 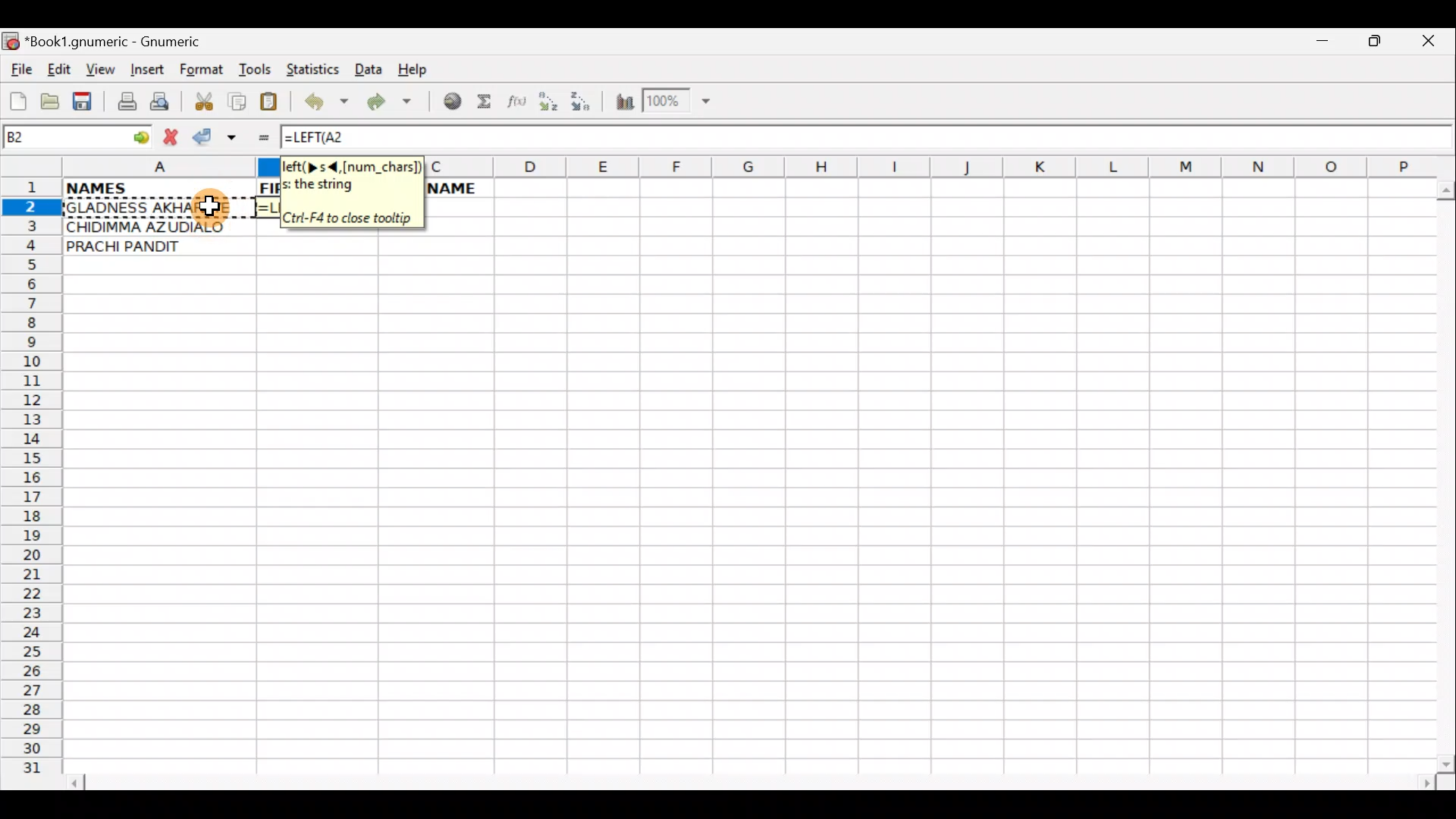 What do you see at coordinates (96, 71) in the screenshot?
I see `View` at bounding box center [96, 71].